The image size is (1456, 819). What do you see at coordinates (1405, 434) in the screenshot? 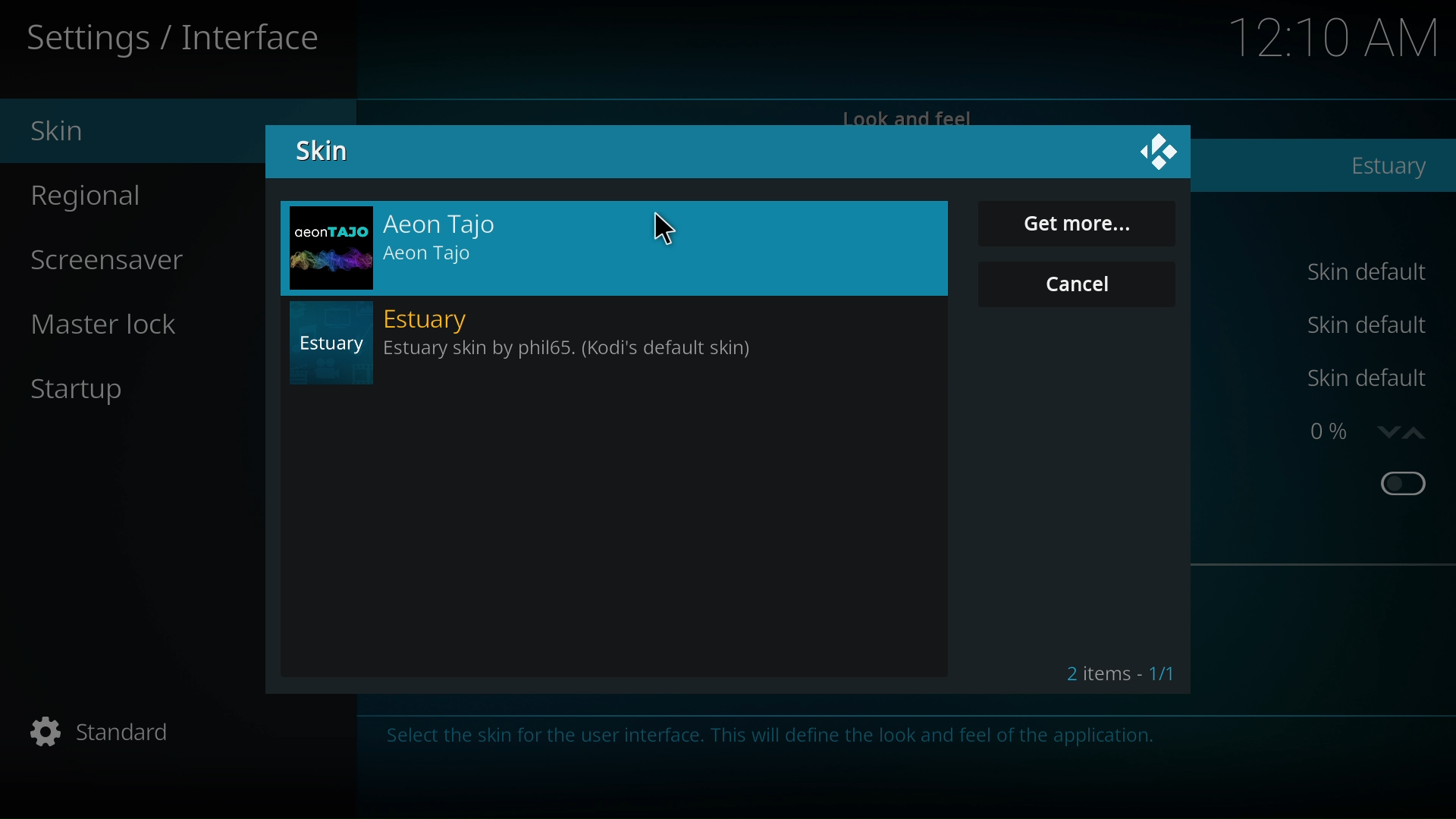
I see `up/down` at bounding box center [1405, 434].